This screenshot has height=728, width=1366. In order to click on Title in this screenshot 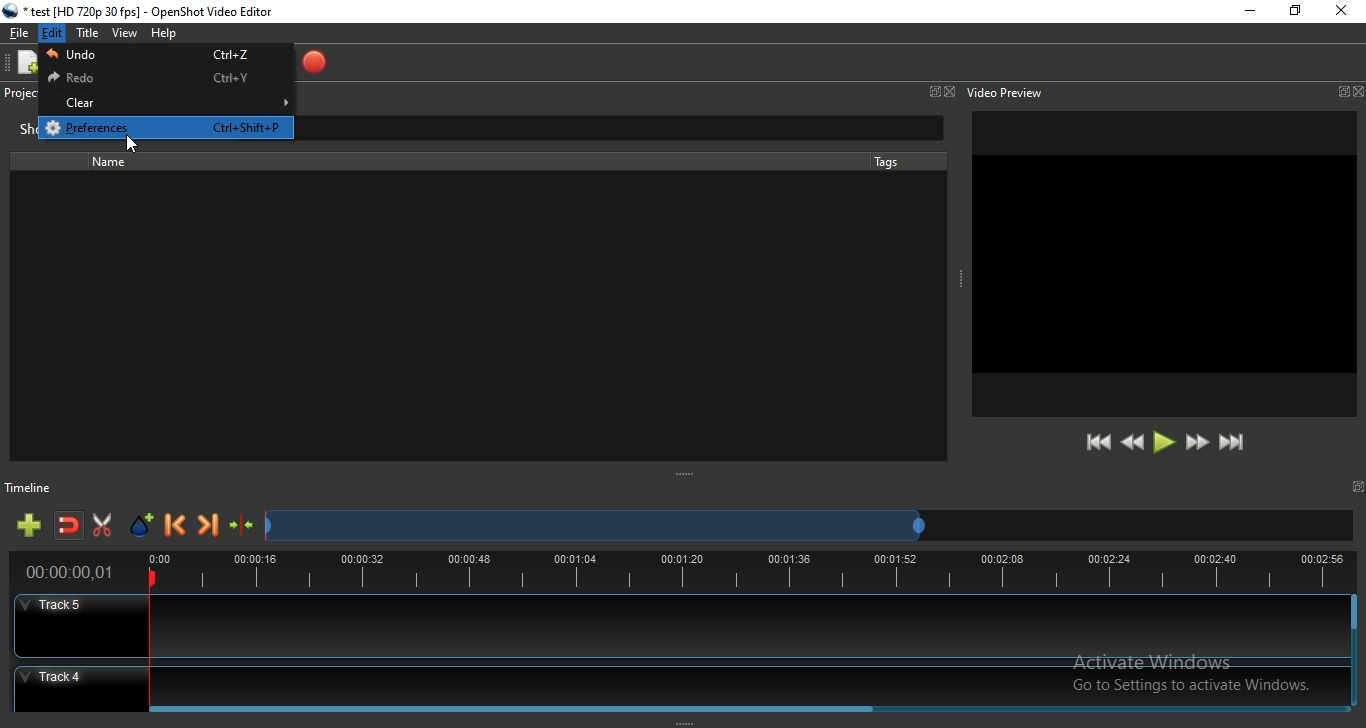, I will do `click(88, 33)`.